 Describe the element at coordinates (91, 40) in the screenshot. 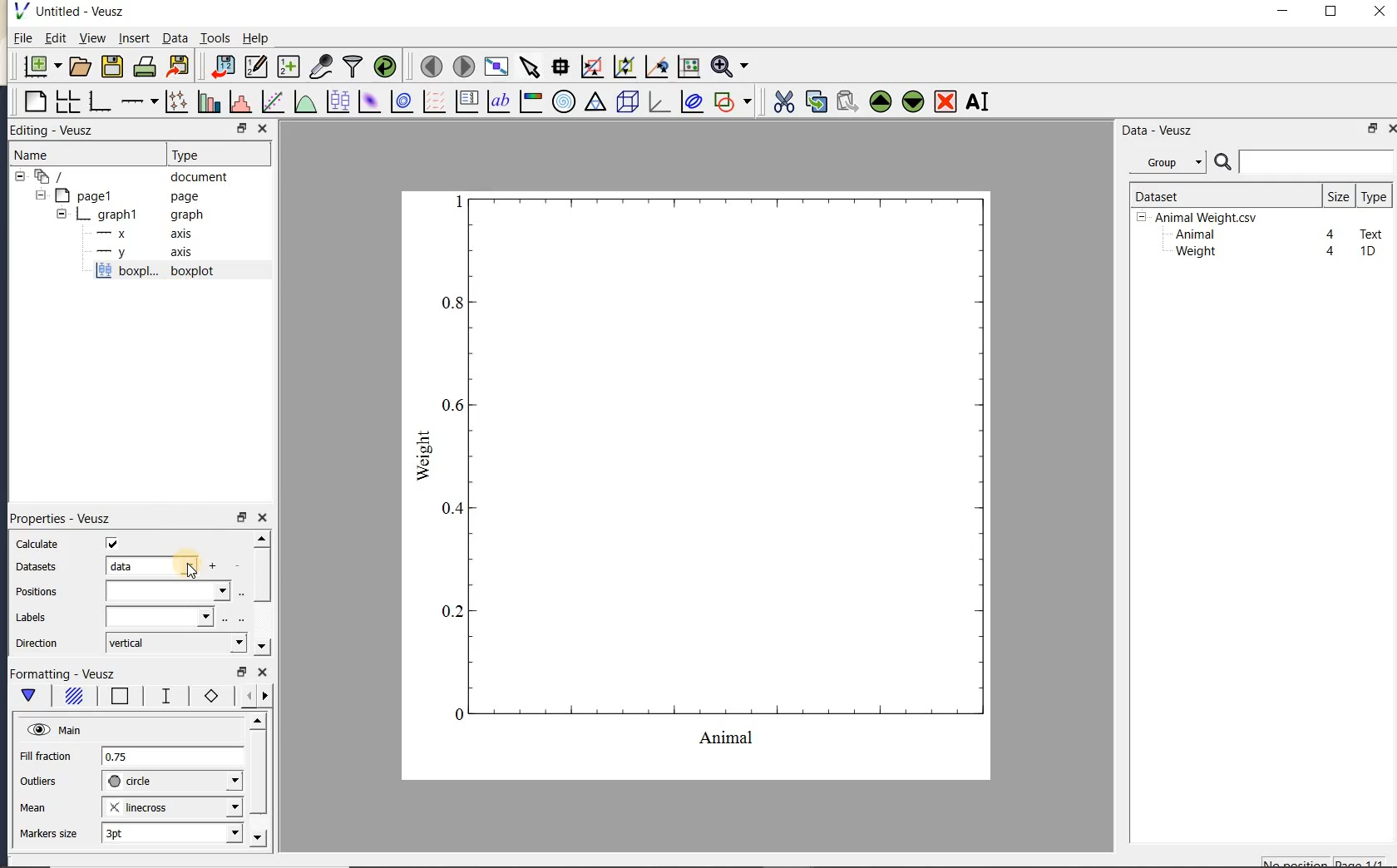

I see `view` at that location.